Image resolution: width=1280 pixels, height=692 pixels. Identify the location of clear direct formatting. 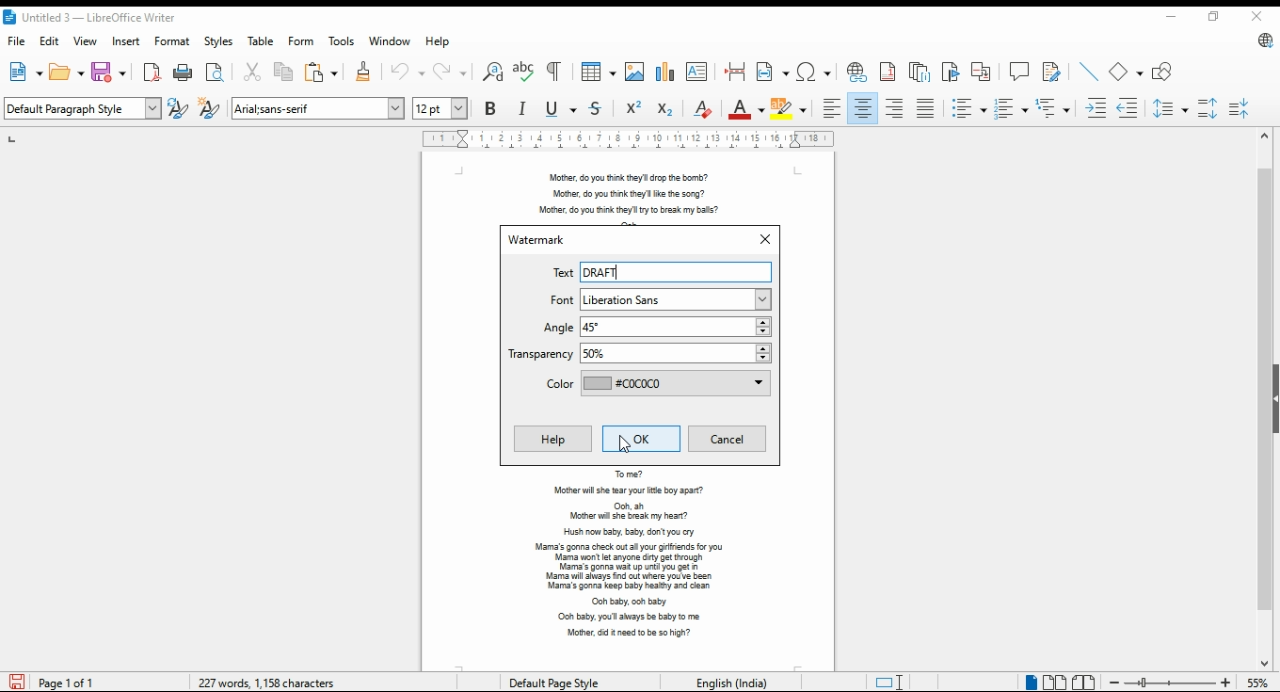
(703, 108).